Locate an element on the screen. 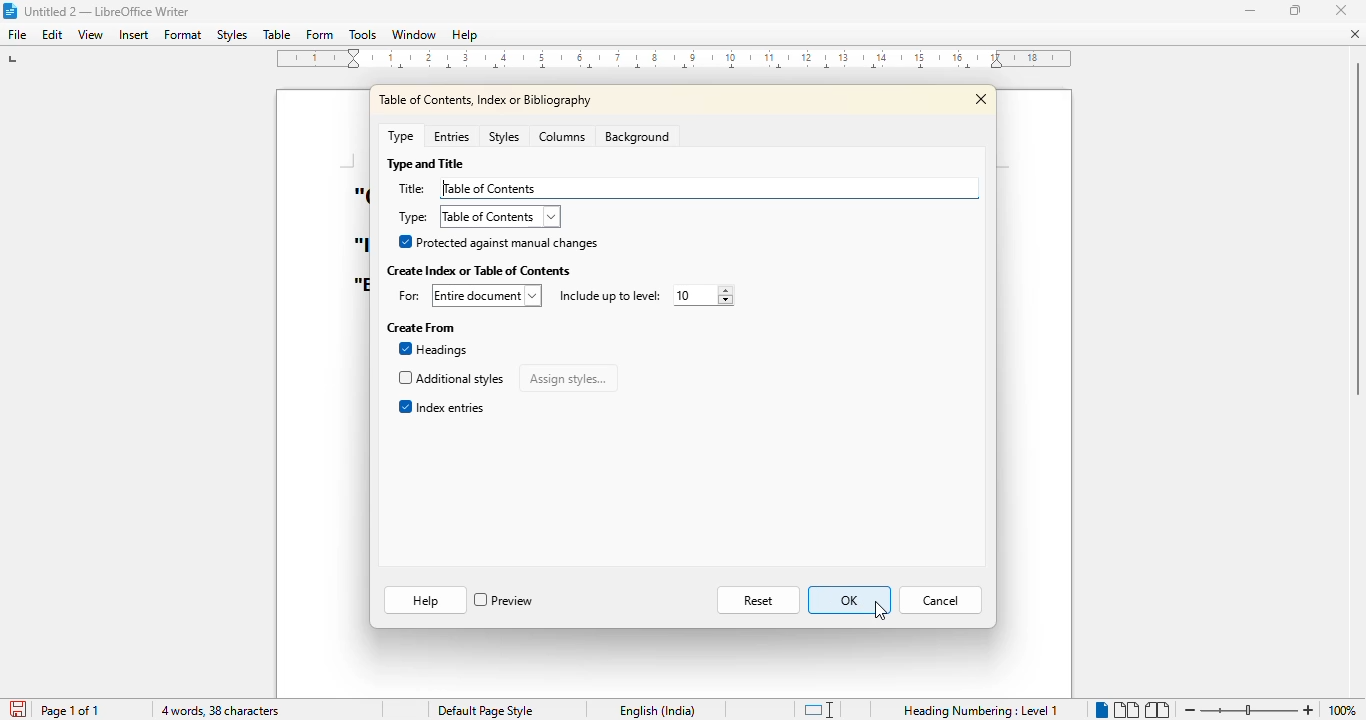 The width and height of the screenshot is (1366, 720). assign styles is located at coordinates (569, 377).